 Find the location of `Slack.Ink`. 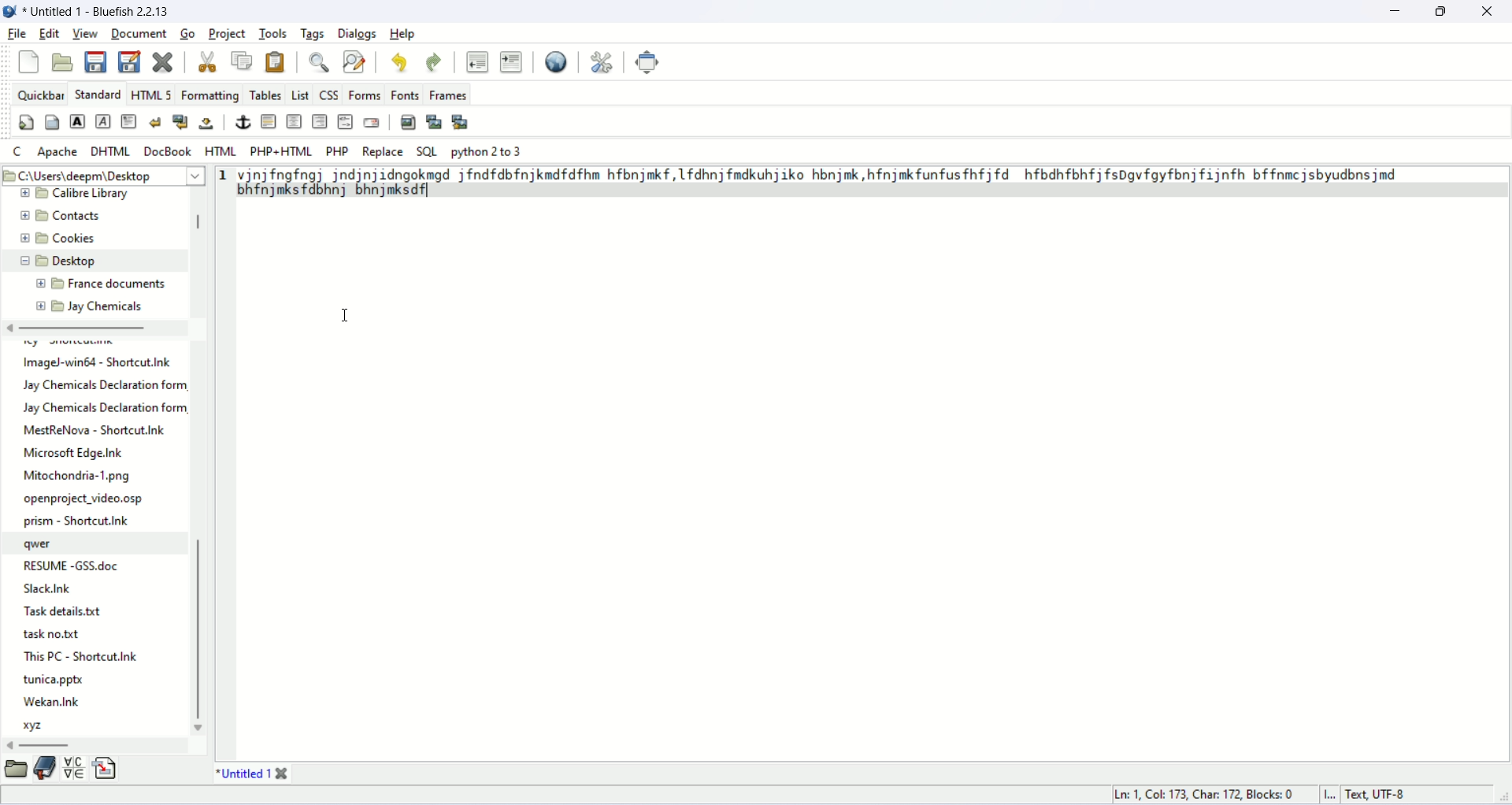

Slack.Ink is located at coordinates (57, 589).